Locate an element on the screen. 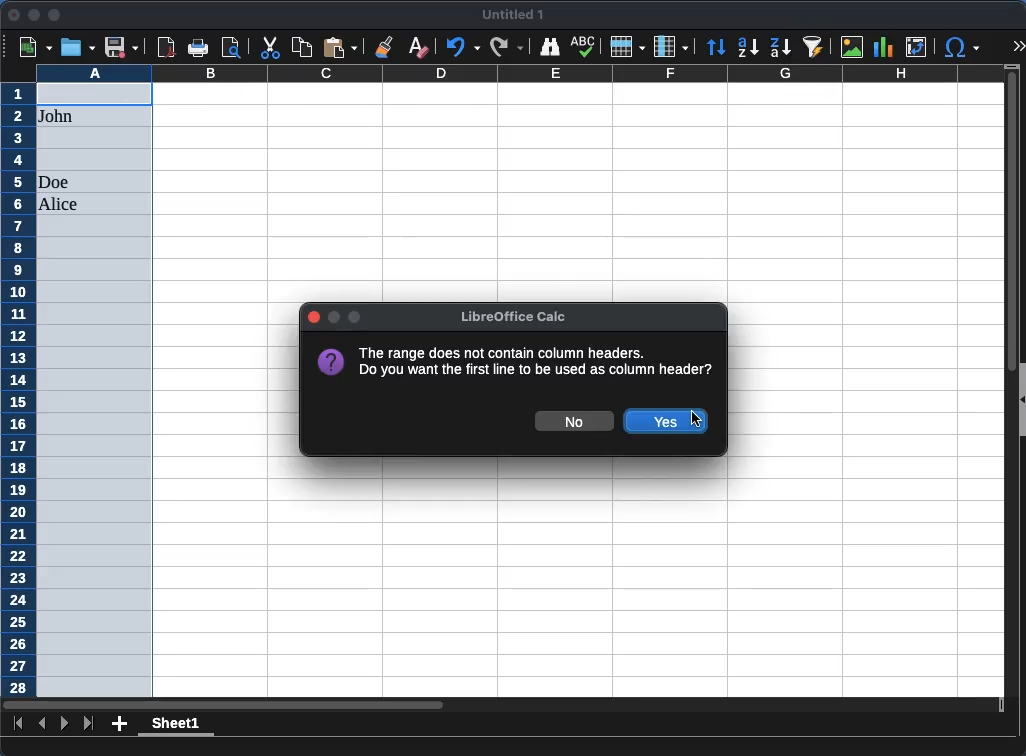 This screenshot has height=756, width=1026. column is located at coordinates (671, 45).